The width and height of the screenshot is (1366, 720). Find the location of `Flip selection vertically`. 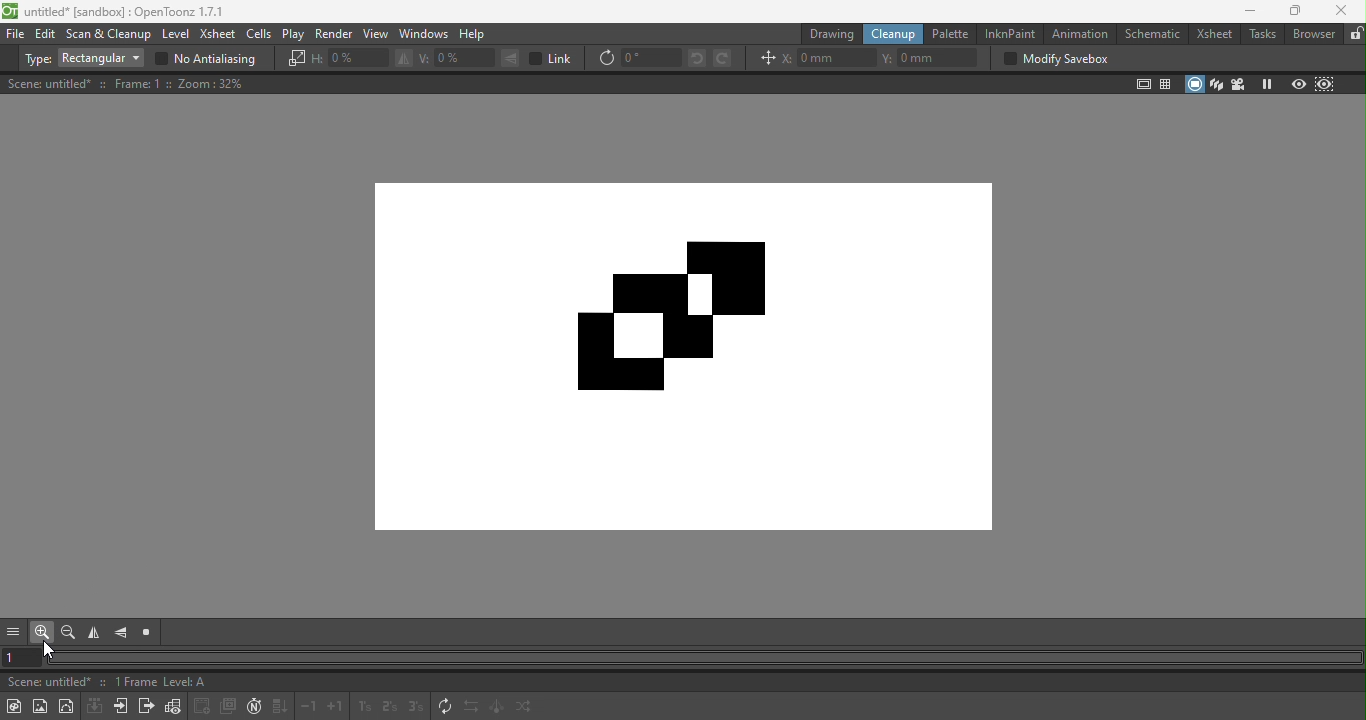

Flip selection vertically is located at coordinates (467, 59).